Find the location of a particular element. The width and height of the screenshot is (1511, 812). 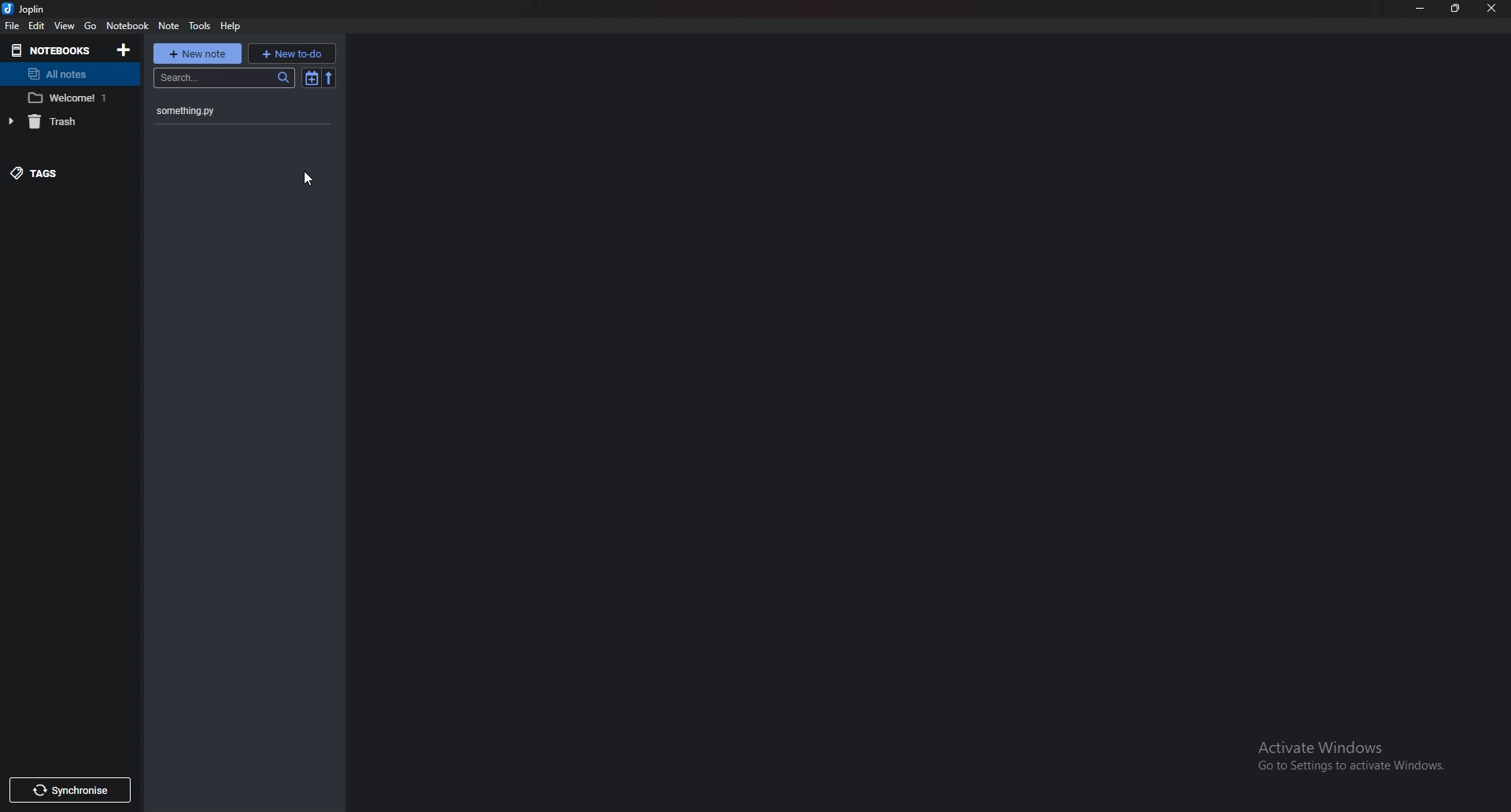

help is located at coordinates (231, 28).